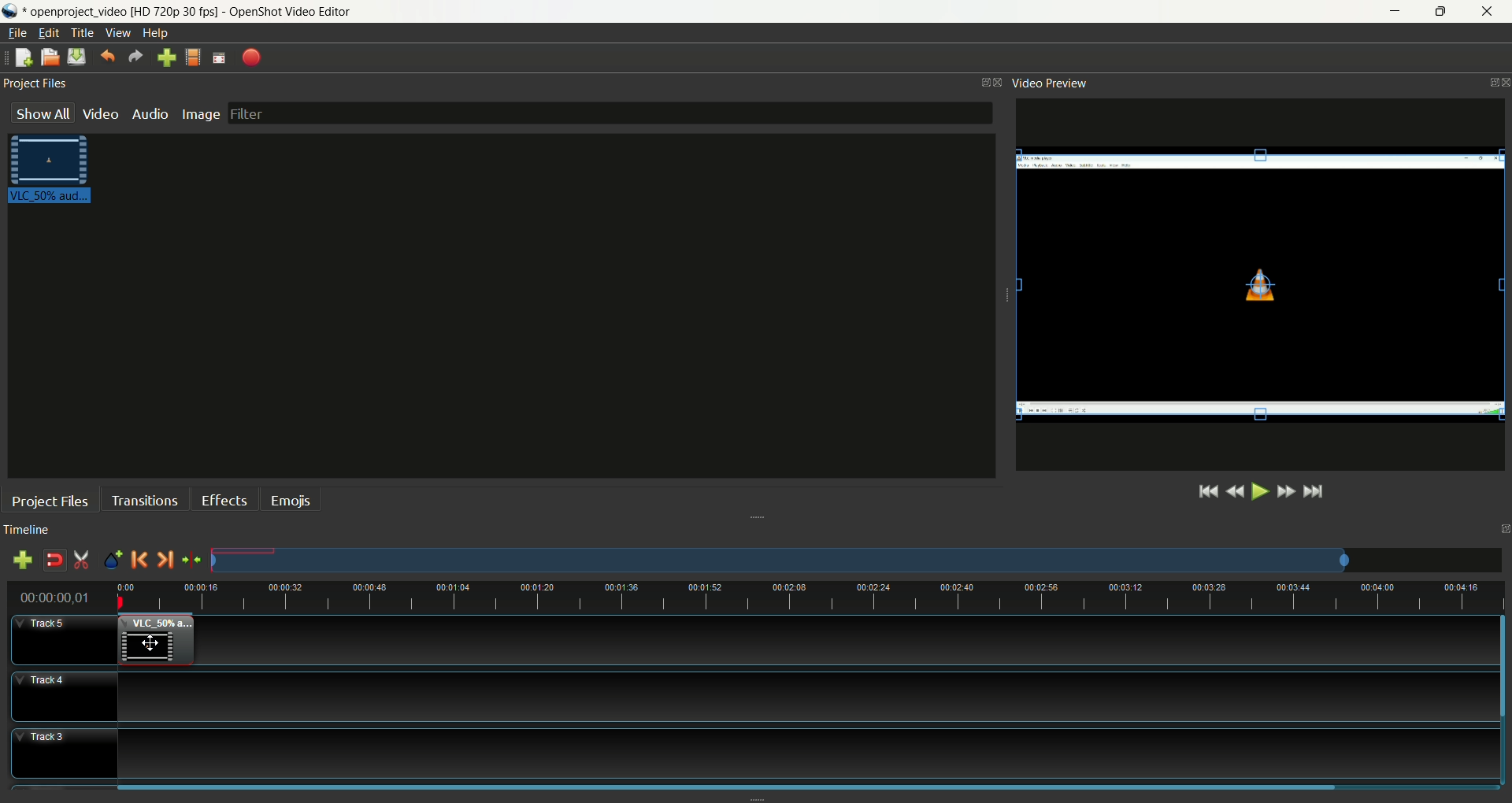 This screenshot has height=803, width=1512. What do you see at coordinates (46, 33) in the screenshot?
I see `edit` at bounding box center [46, 33].